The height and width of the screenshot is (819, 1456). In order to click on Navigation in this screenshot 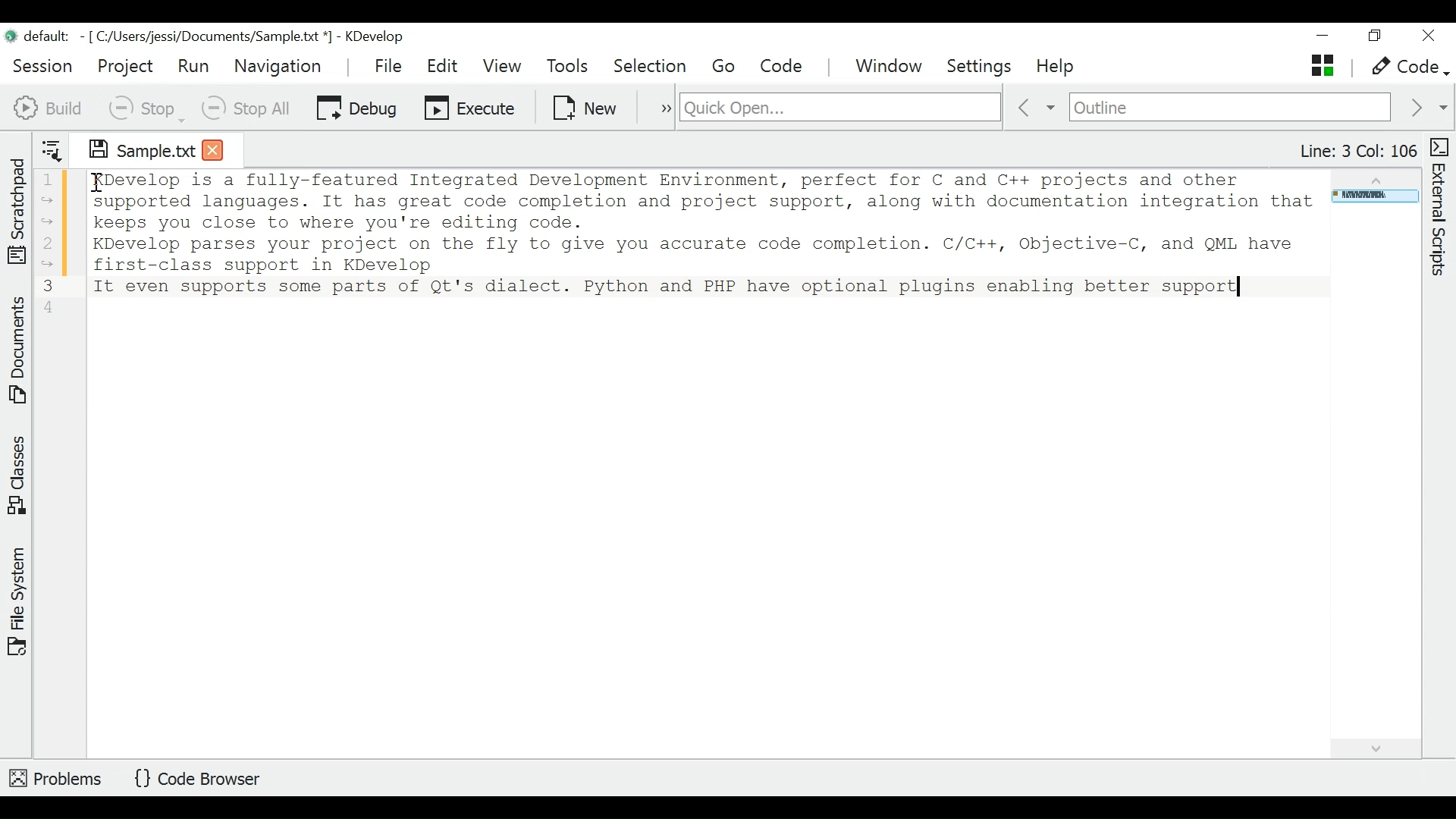, I will do `click(281, 66)`.